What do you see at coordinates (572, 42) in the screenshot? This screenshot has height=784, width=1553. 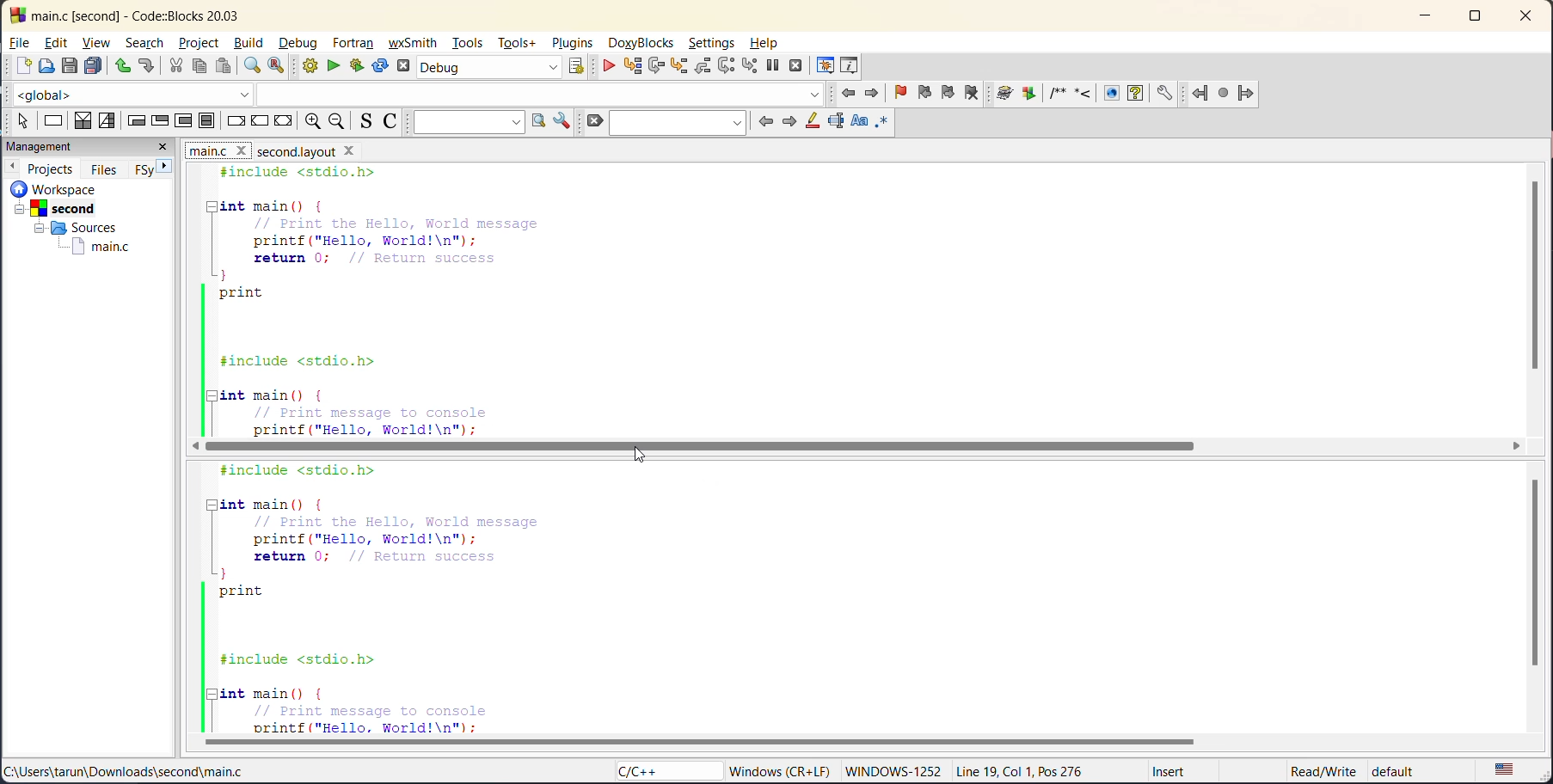 I see `plugins` at bounding box center [572, 42].